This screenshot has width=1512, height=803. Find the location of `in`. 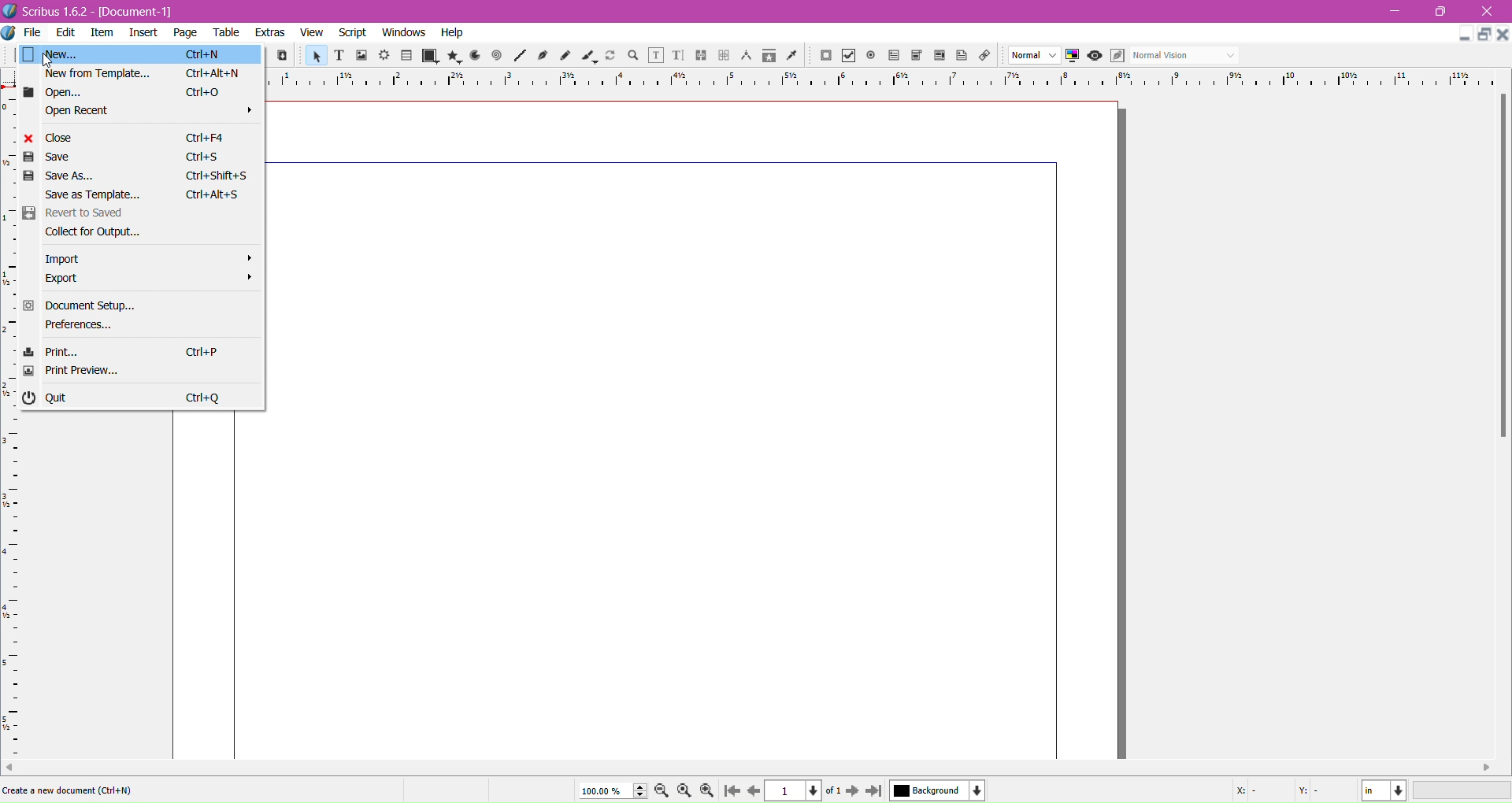

in is located at coordinates (1388, 791).